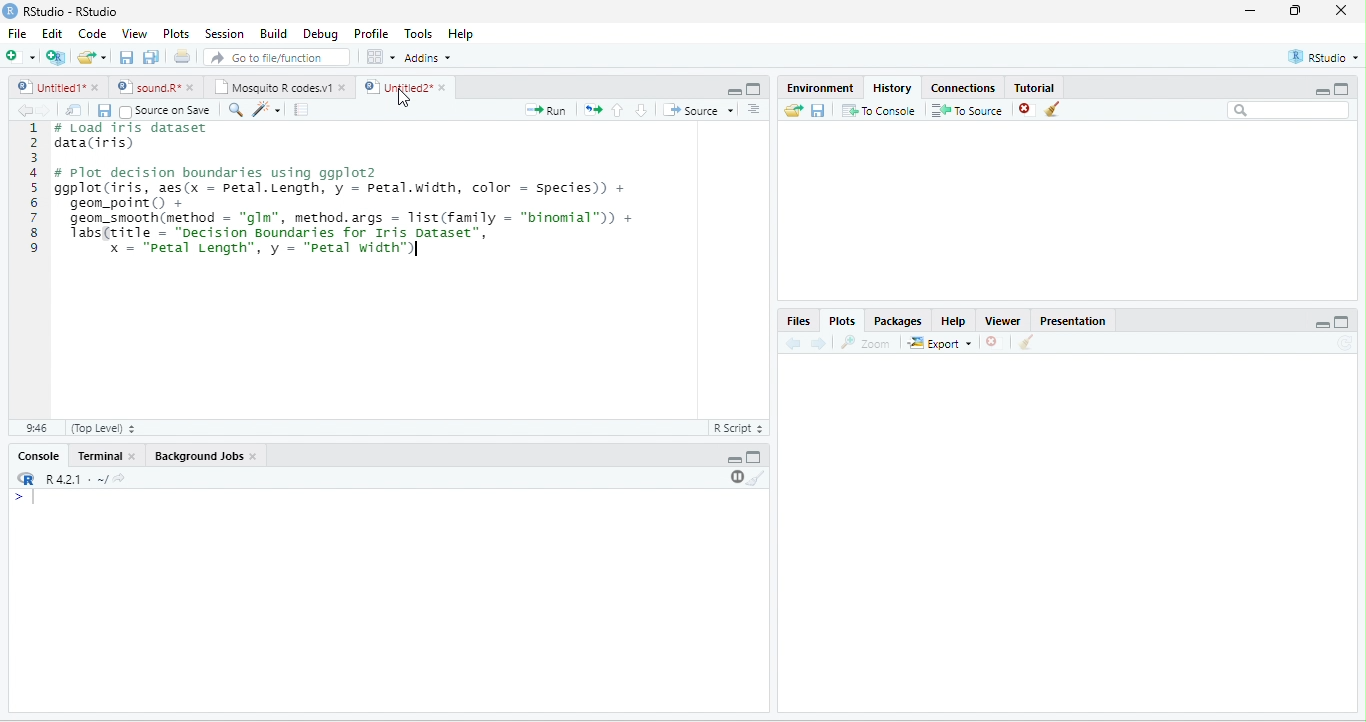 Image resolution: width=1366 pixels, height=722 pixels. Describe the element at coordinates (37, 270) in the screenshot. I see `Line numbering` at that location.